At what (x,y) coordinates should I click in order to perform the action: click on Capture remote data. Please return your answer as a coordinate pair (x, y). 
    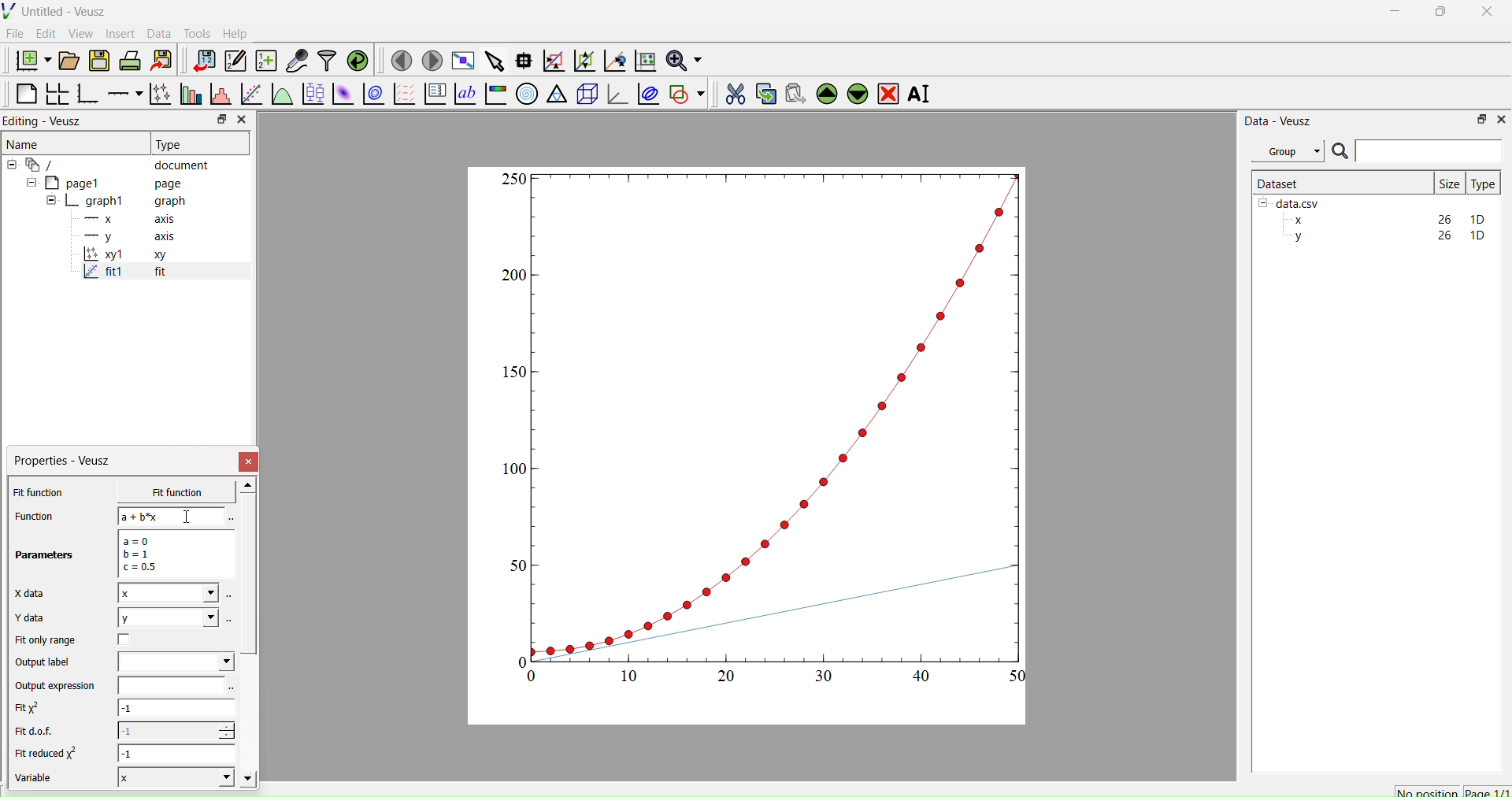
    Looking at the image, I should click on (297, 61).